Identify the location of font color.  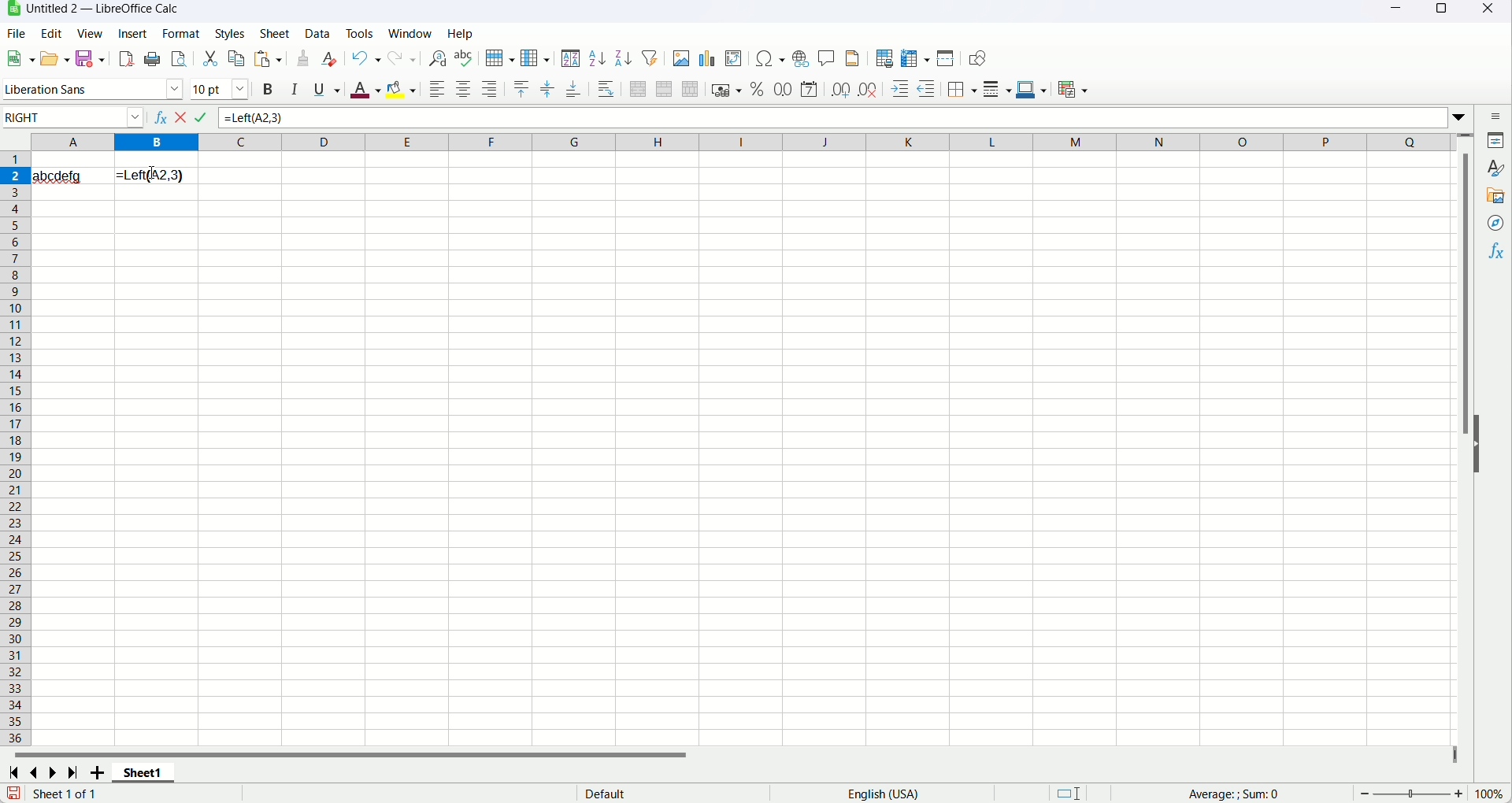
(366, 91).